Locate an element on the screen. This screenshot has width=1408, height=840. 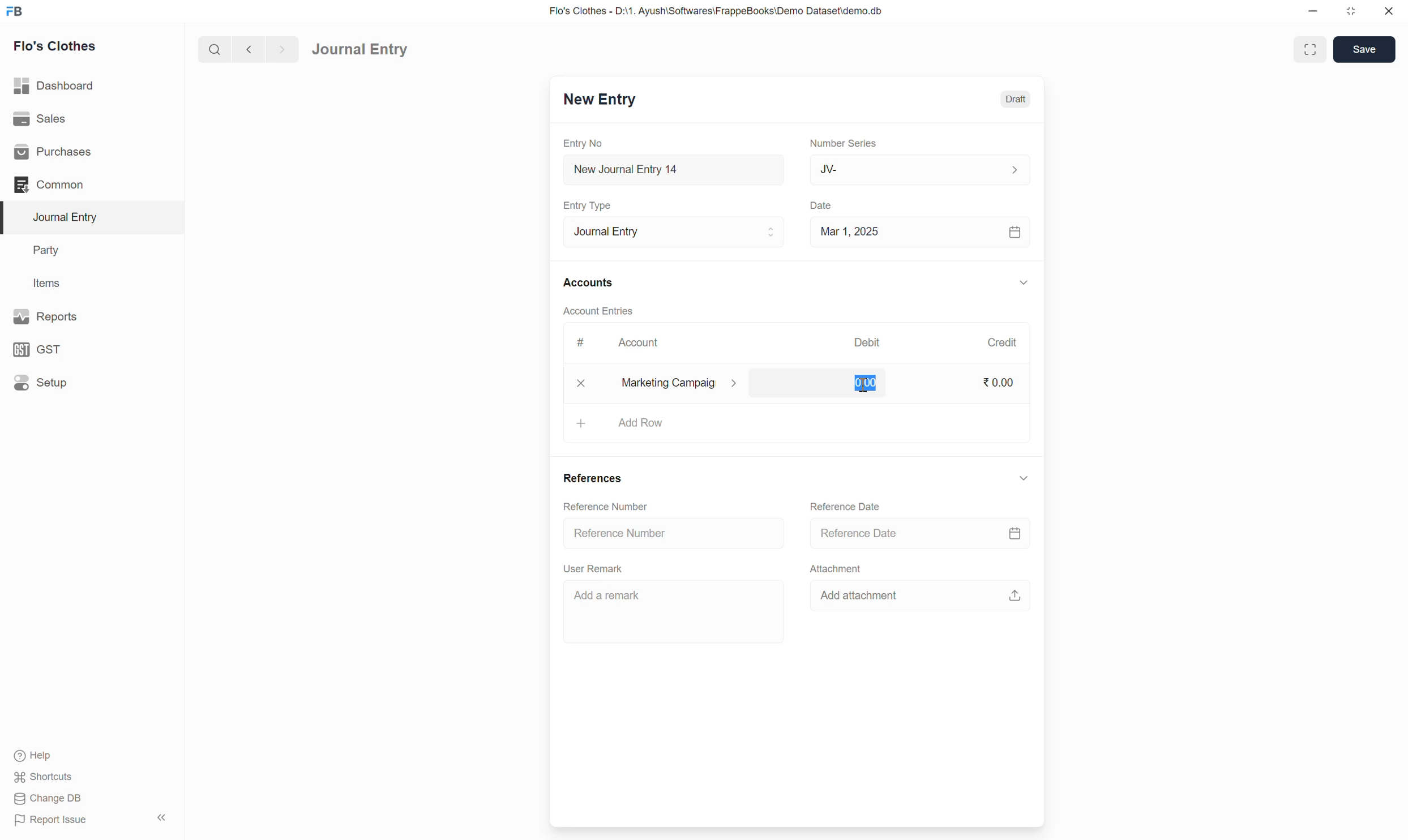
Shortcuts is located at coordinates (48, 777).